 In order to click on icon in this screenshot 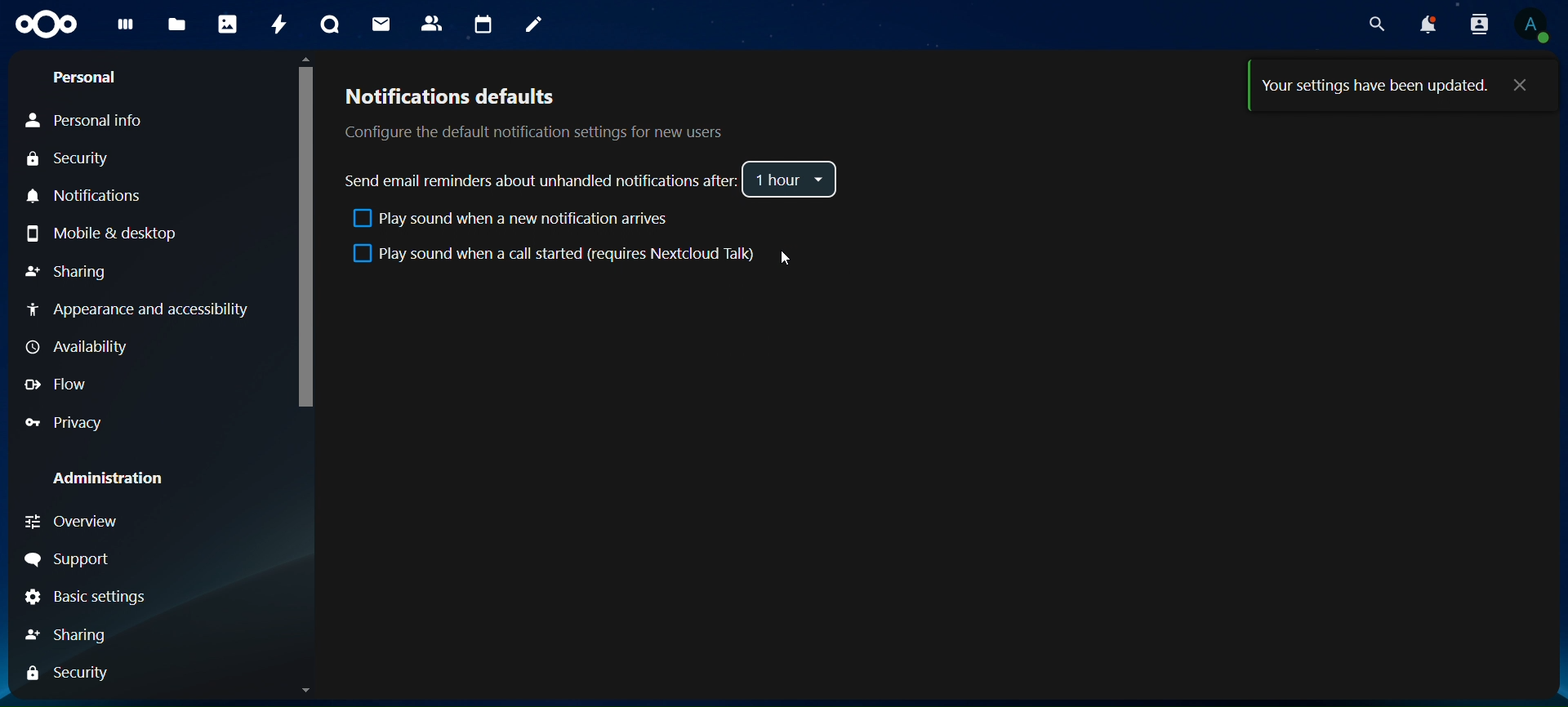, I will do `click(48, 24)`.